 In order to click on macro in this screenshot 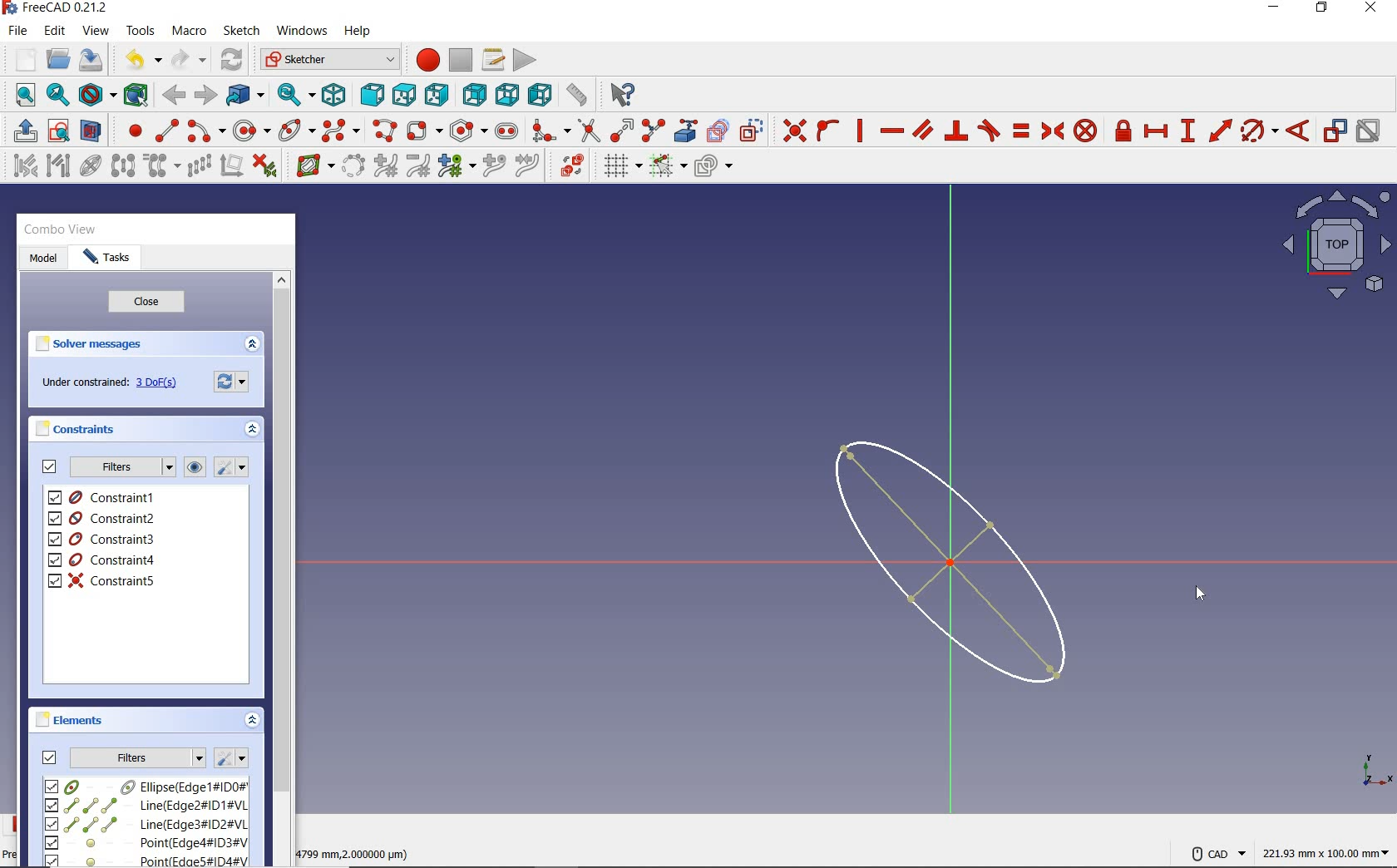, I will do `click(190, 32)`.